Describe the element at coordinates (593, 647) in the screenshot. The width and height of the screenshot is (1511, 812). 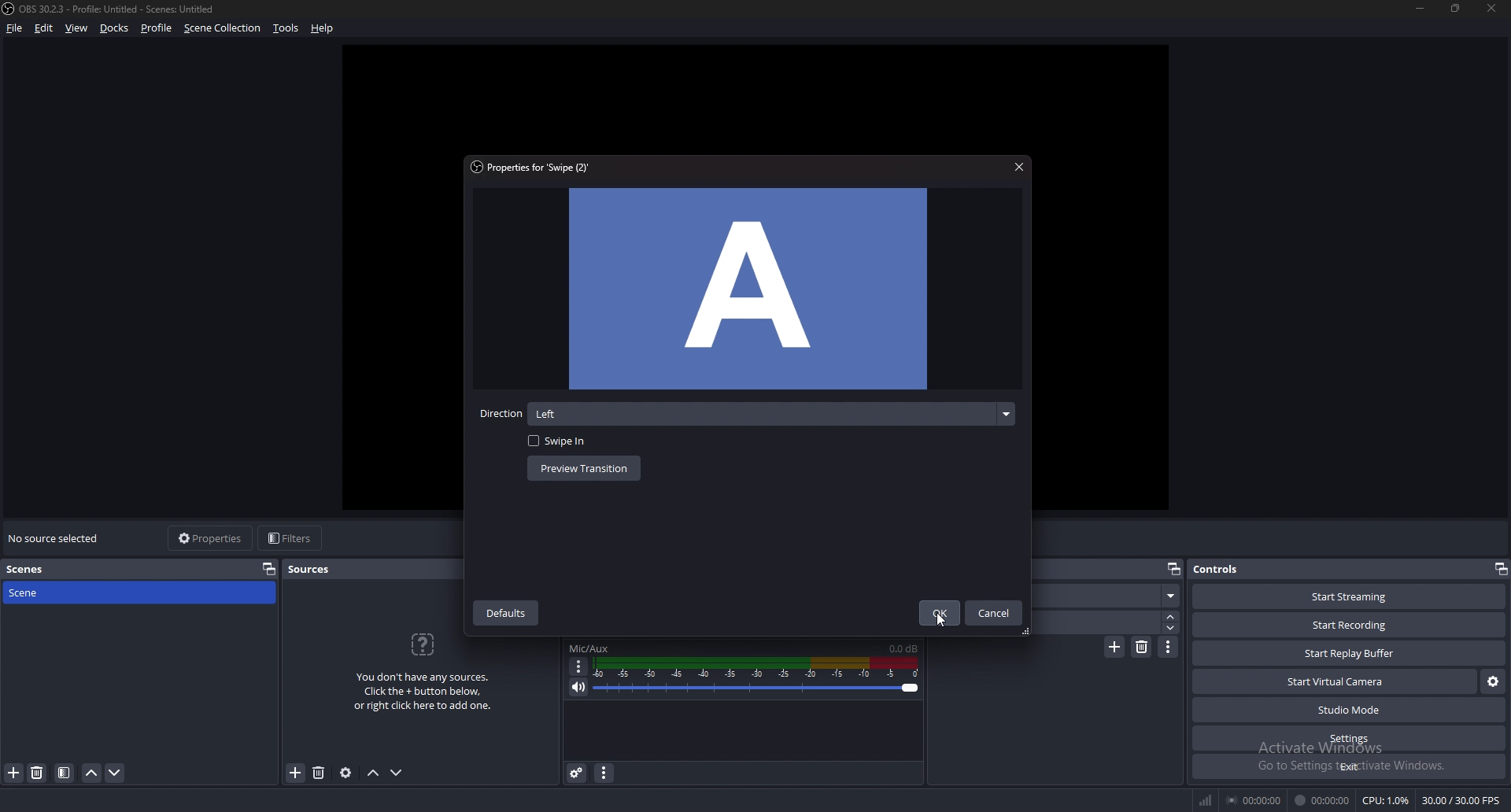
I see `mic/aux` at that location.